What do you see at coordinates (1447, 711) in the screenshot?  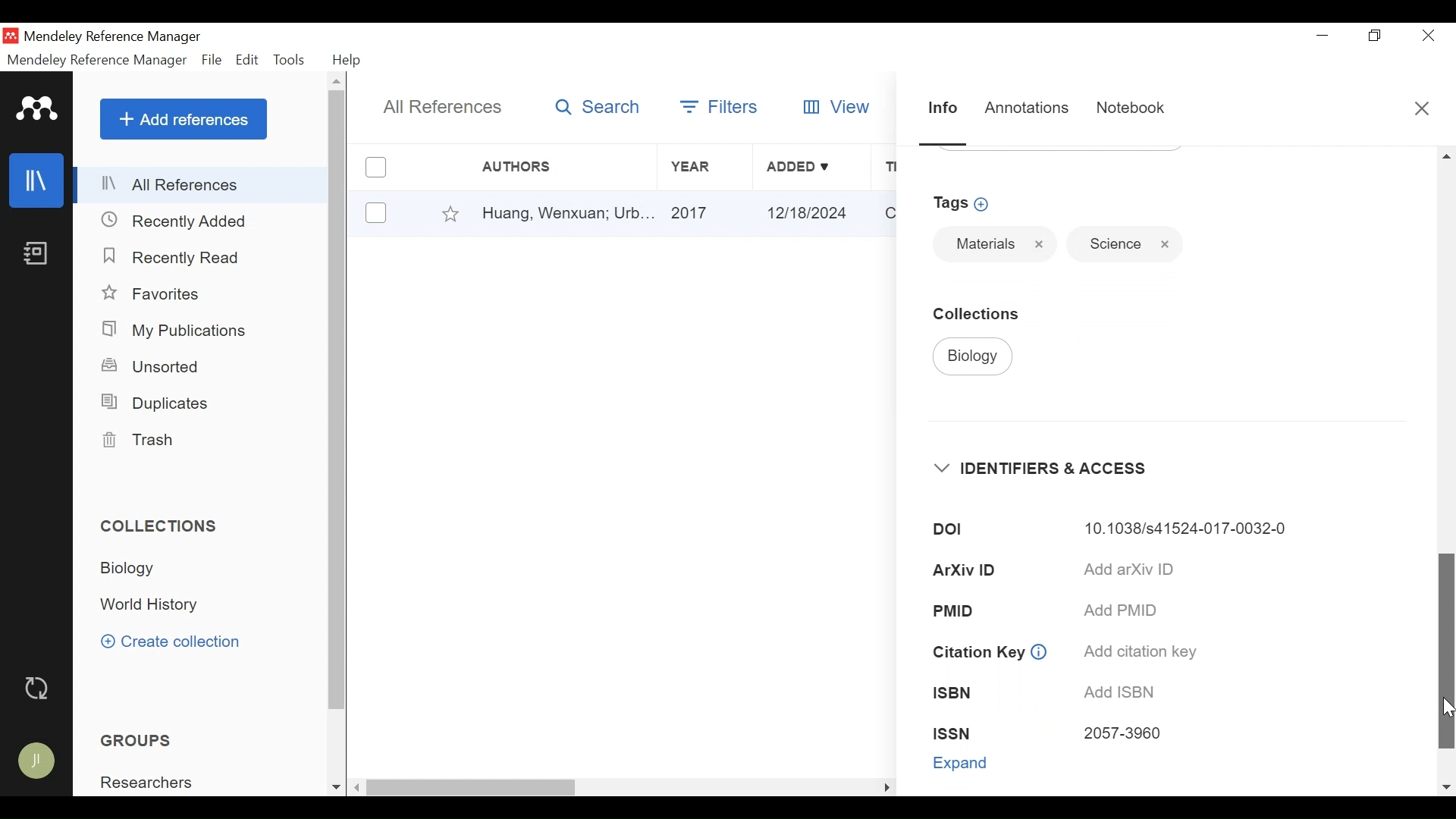 I see `Cursor` at bounding box center [1447, 711].